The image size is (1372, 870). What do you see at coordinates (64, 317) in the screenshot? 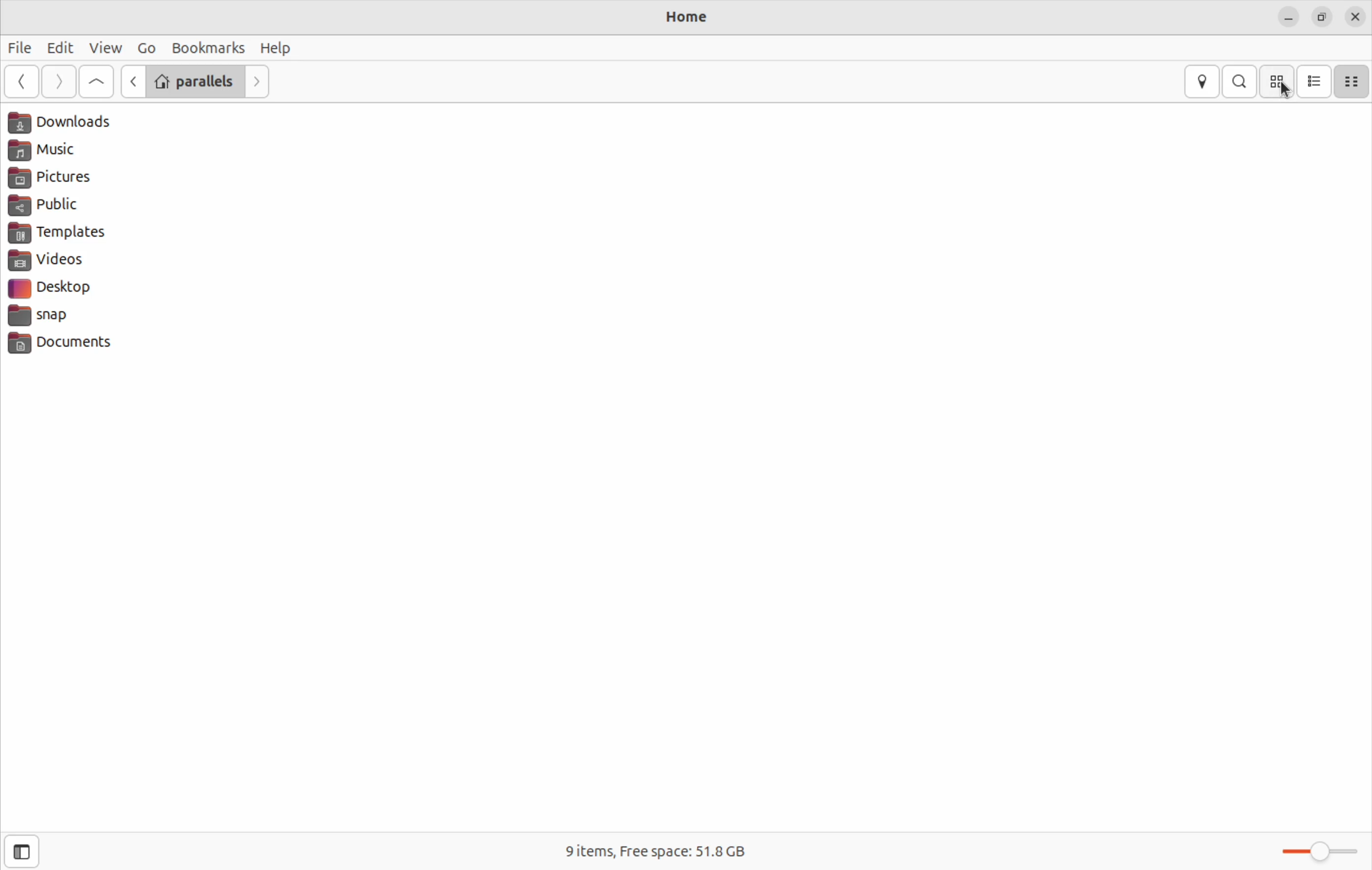
I see `snap` at bounding box center [64, 317].